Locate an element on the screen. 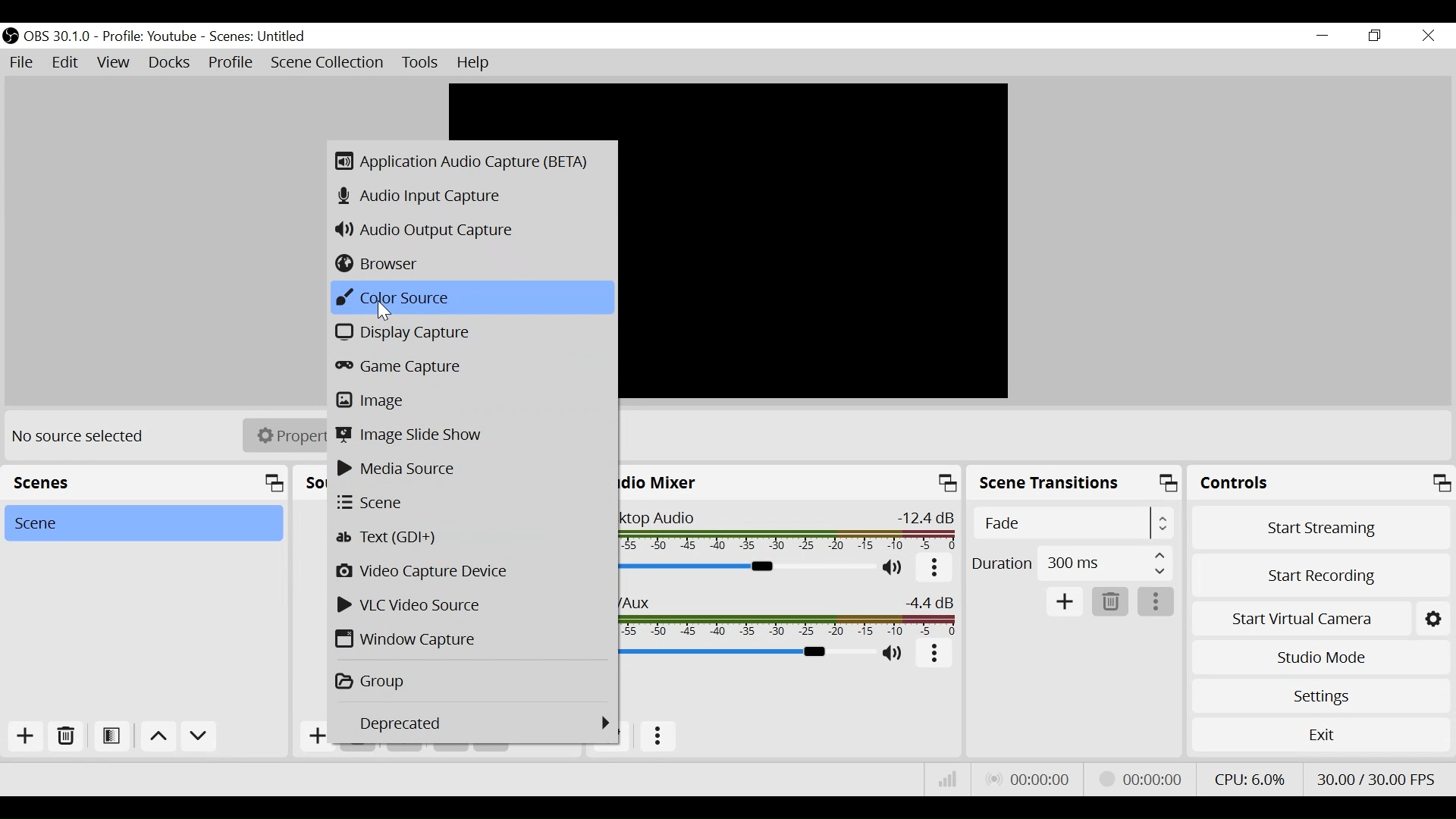 This screenshot has height=819, width=1456. Text (GDI+) is located at coordinates (468, 537).